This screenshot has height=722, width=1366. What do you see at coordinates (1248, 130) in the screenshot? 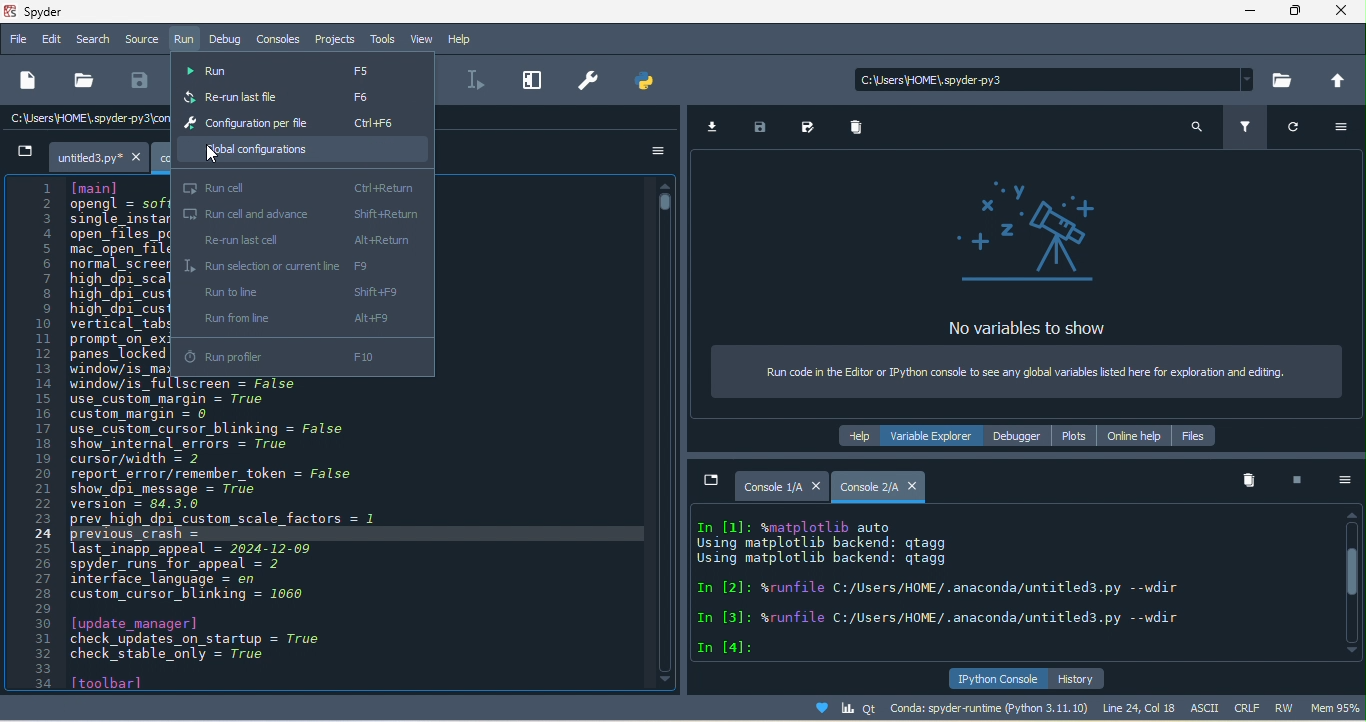
I see `filter` at bounding box center [1248, 130].